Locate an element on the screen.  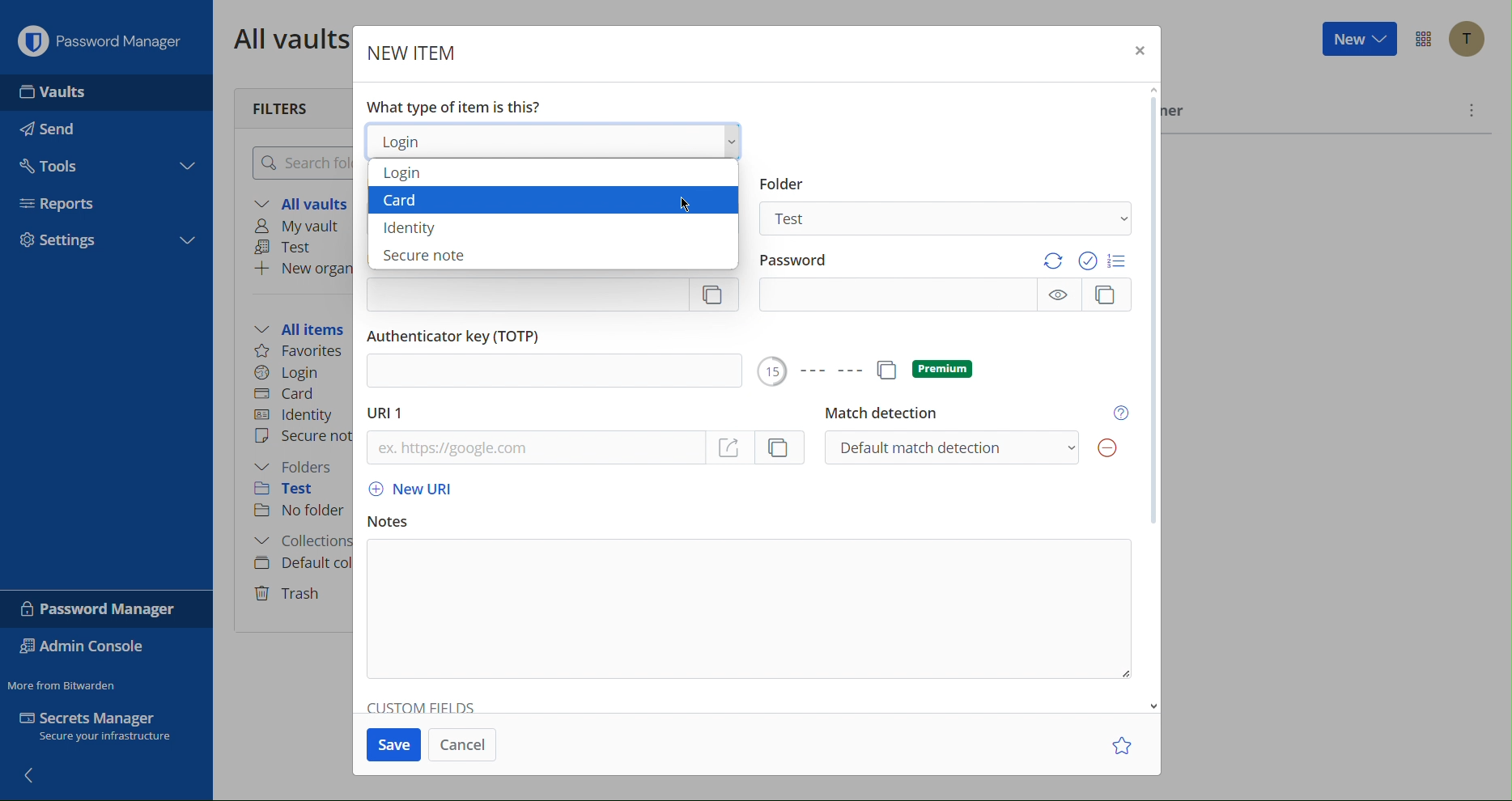
Identity is located at coordinates (410, 227).